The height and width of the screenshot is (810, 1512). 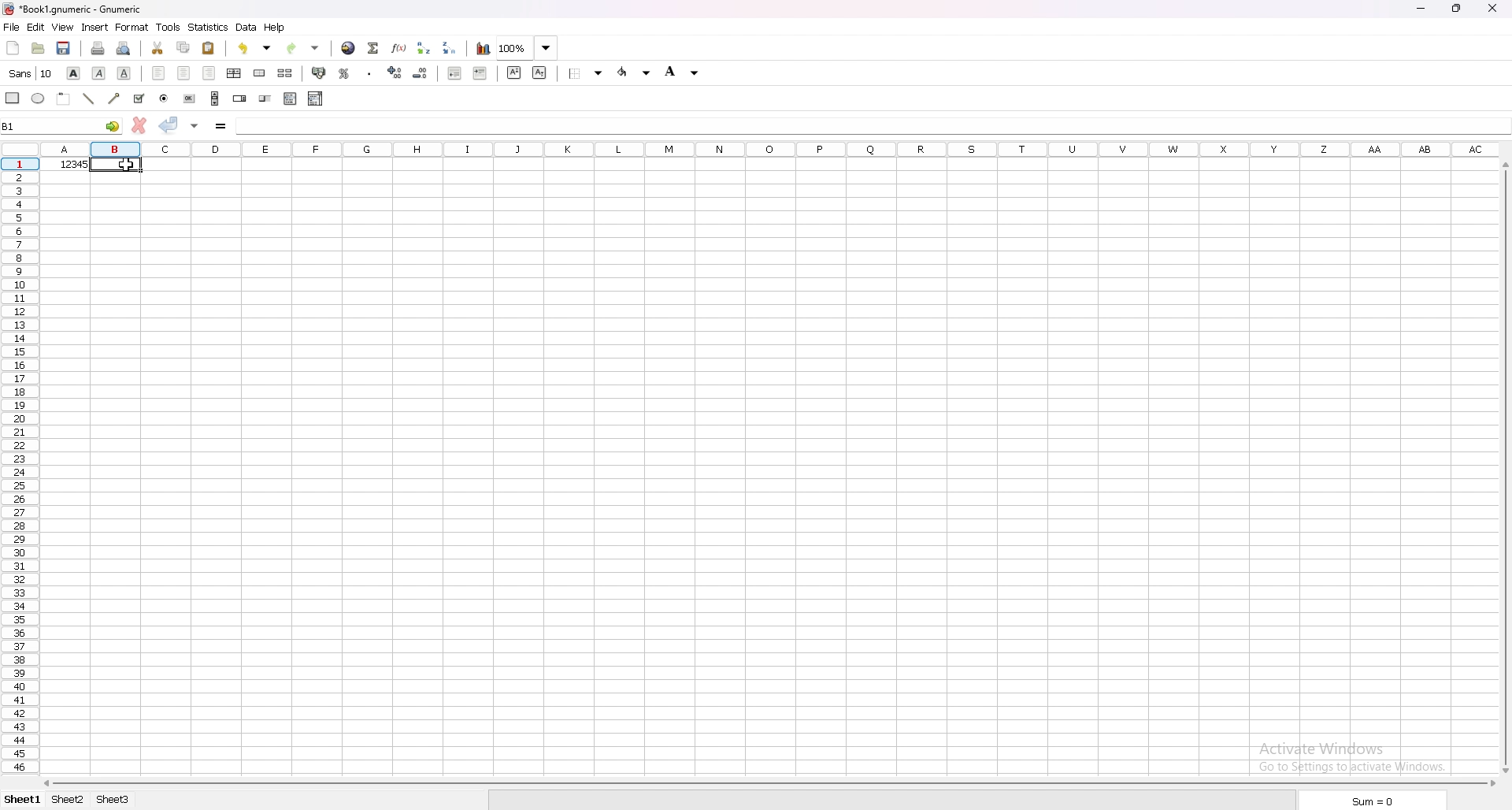 What do you see at coordinates (195, 126) in the screenshot?
I see `accept changes in all cells` at bounding box center [195, 126].